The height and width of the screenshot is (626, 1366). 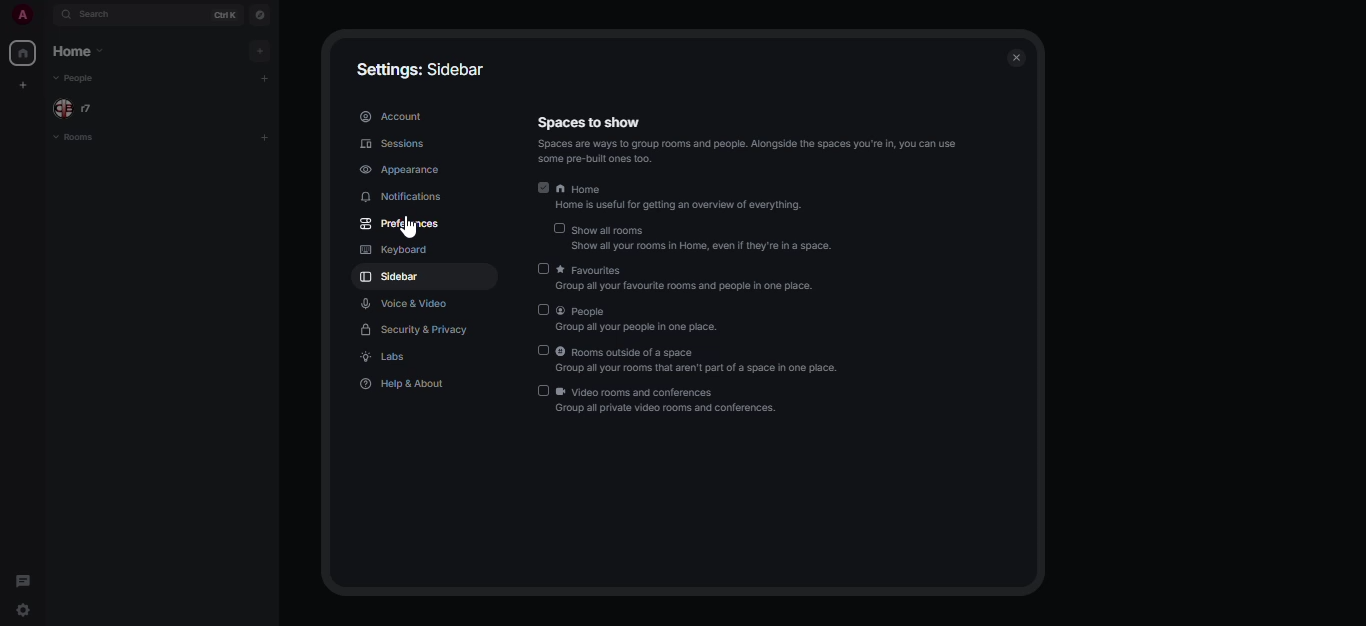 I want to click on rooms, so click(x=82, y=137).